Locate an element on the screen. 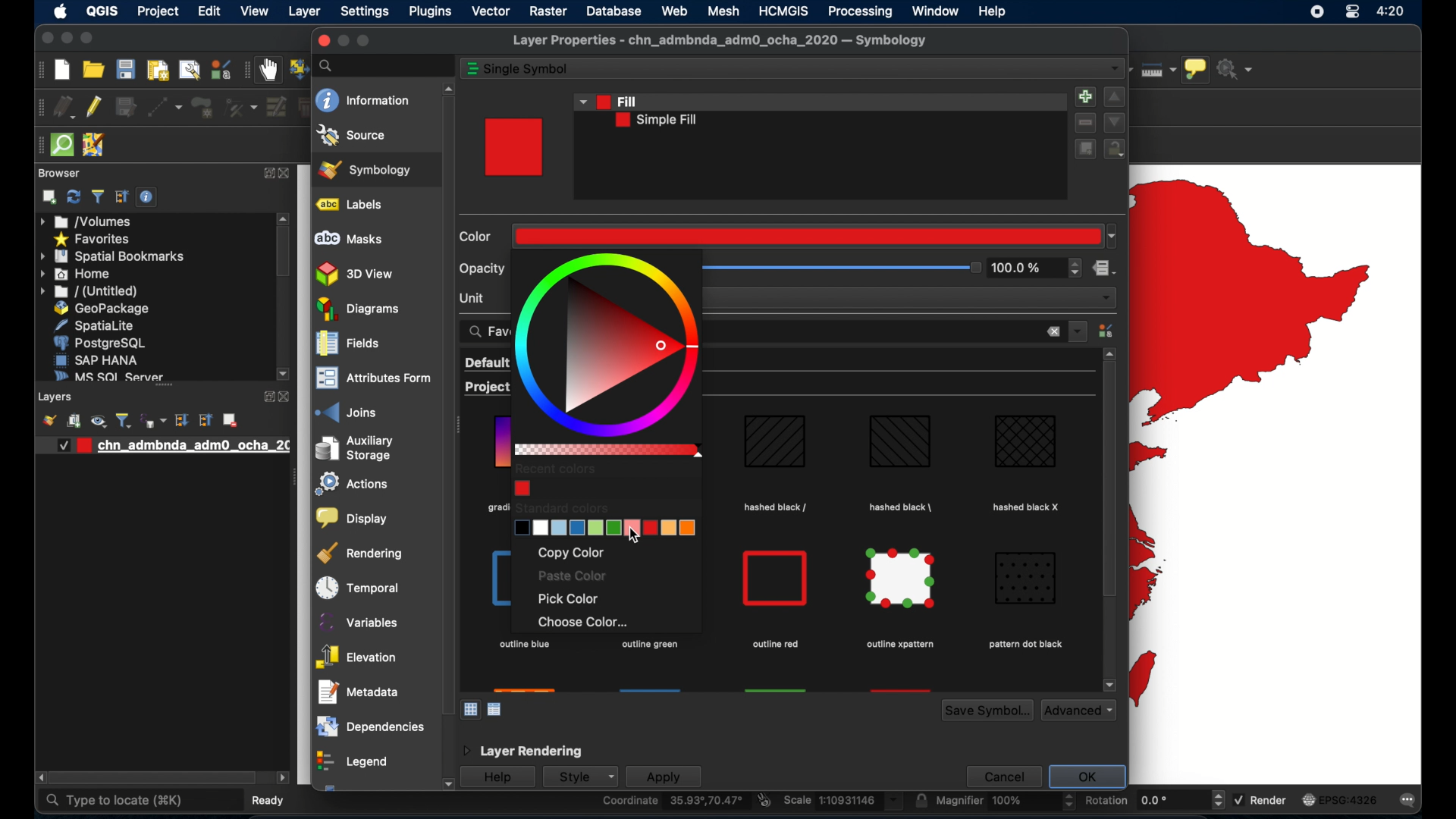  screen recorder icon is located at coordinates (1316, 11).